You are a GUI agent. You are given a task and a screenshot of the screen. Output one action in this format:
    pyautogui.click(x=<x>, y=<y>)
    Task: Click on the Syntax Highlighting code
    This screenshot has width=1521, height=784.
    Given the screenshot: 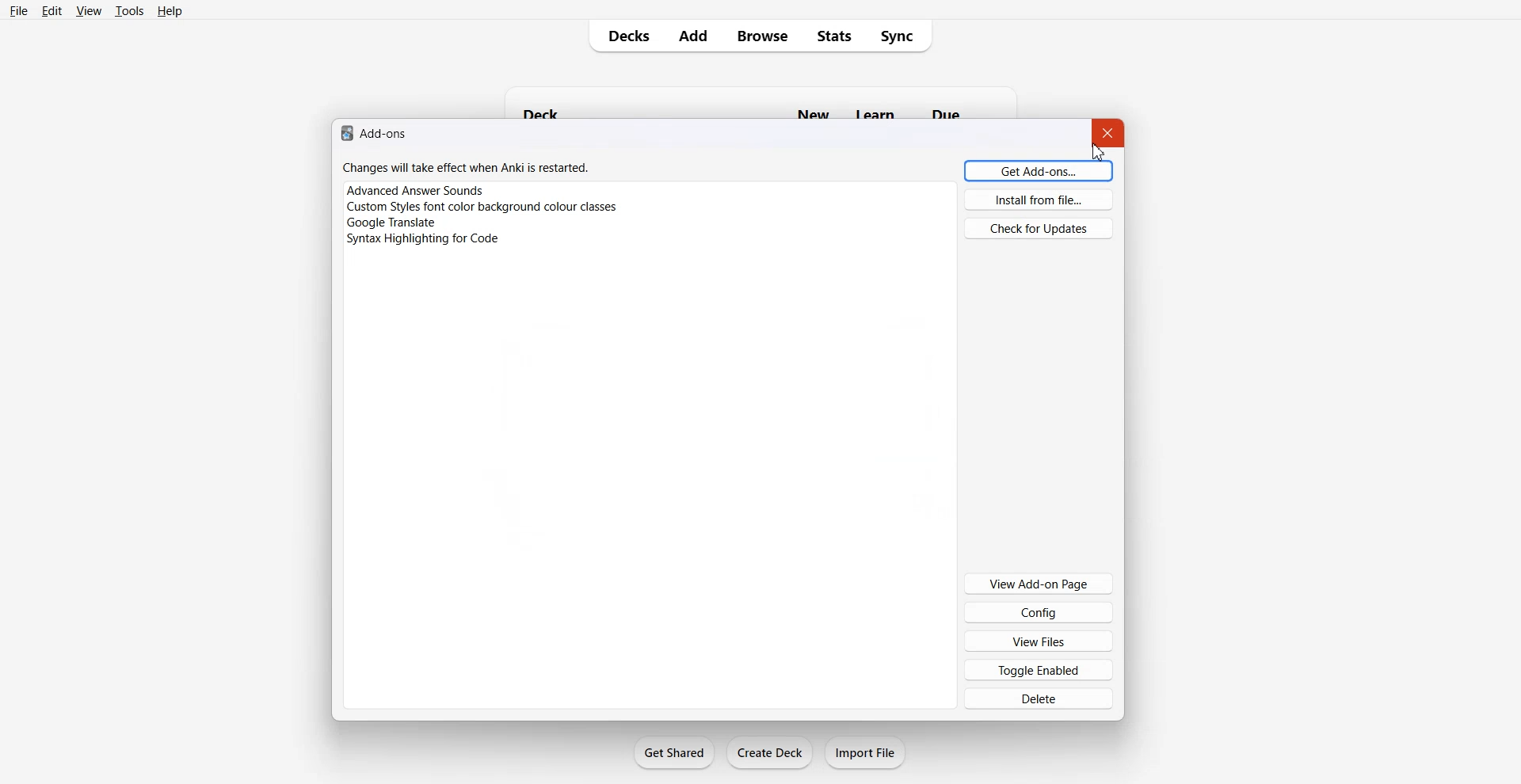 What is the action you would take?
    pyautogui.click(x=426, y=240)
    